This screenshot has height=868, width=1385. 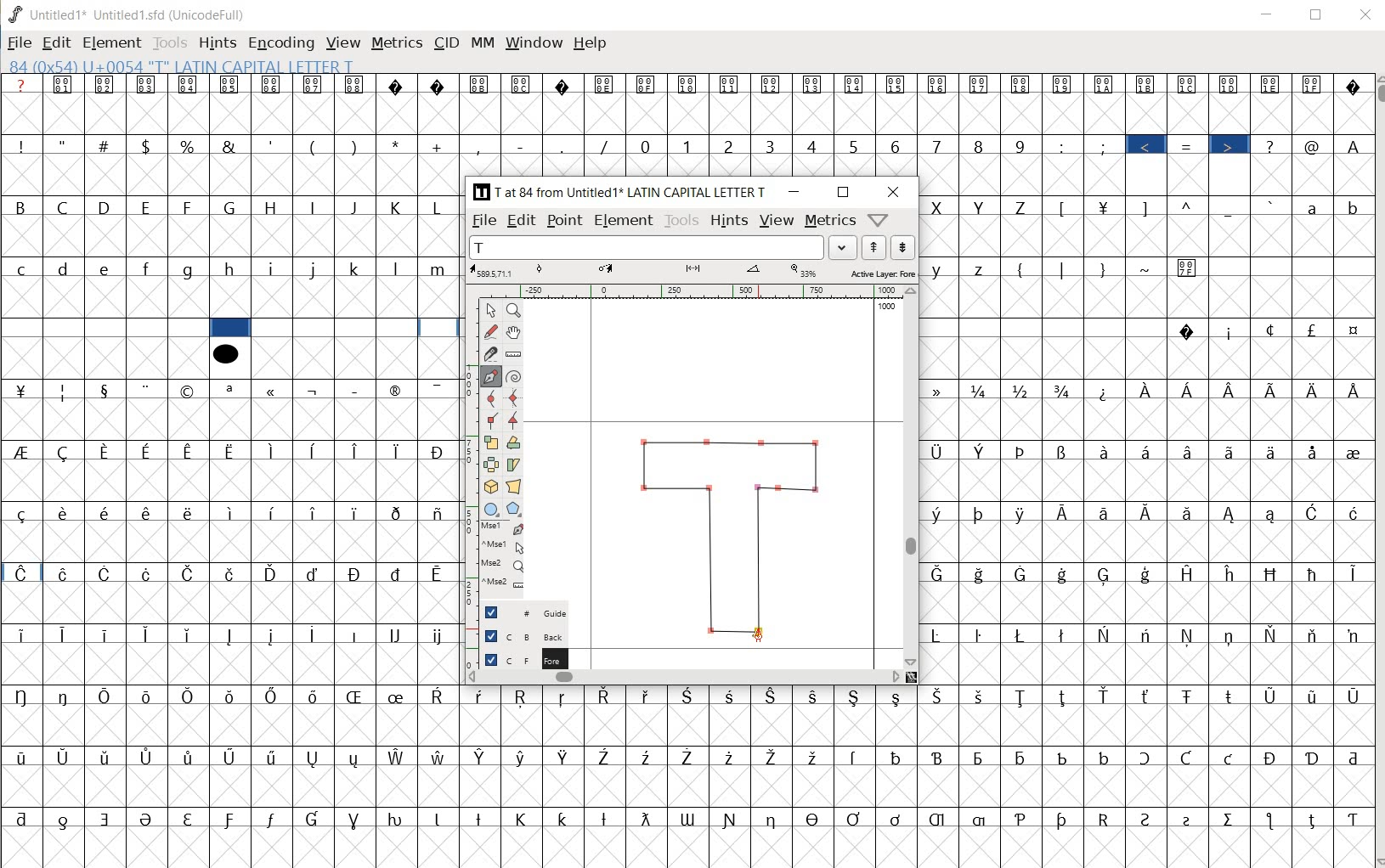 I want to click on Symbol, so click(x=1313, y=330).